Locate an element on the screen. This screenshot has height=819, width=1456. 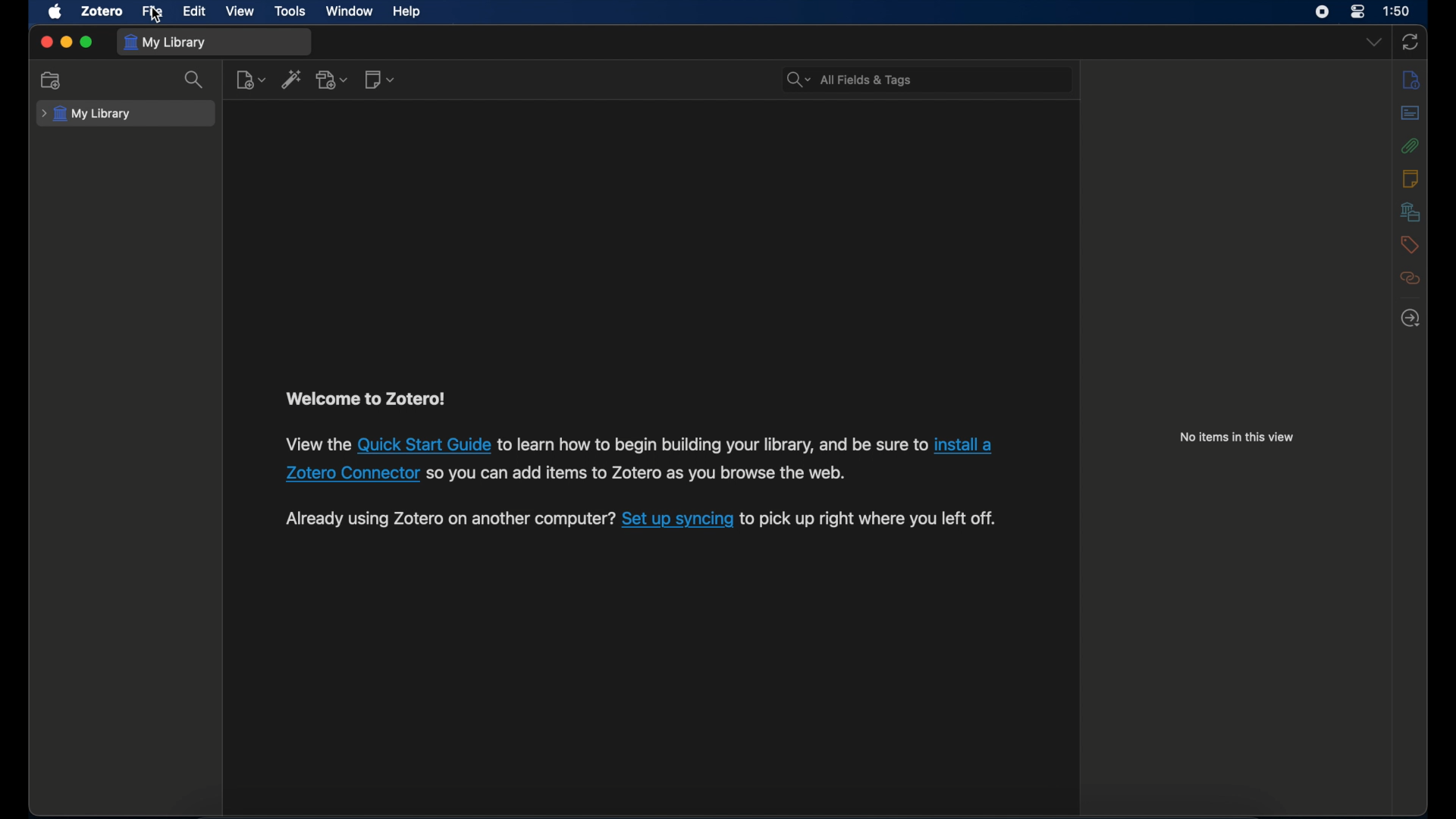
View the is located at coordinates (316, 444).